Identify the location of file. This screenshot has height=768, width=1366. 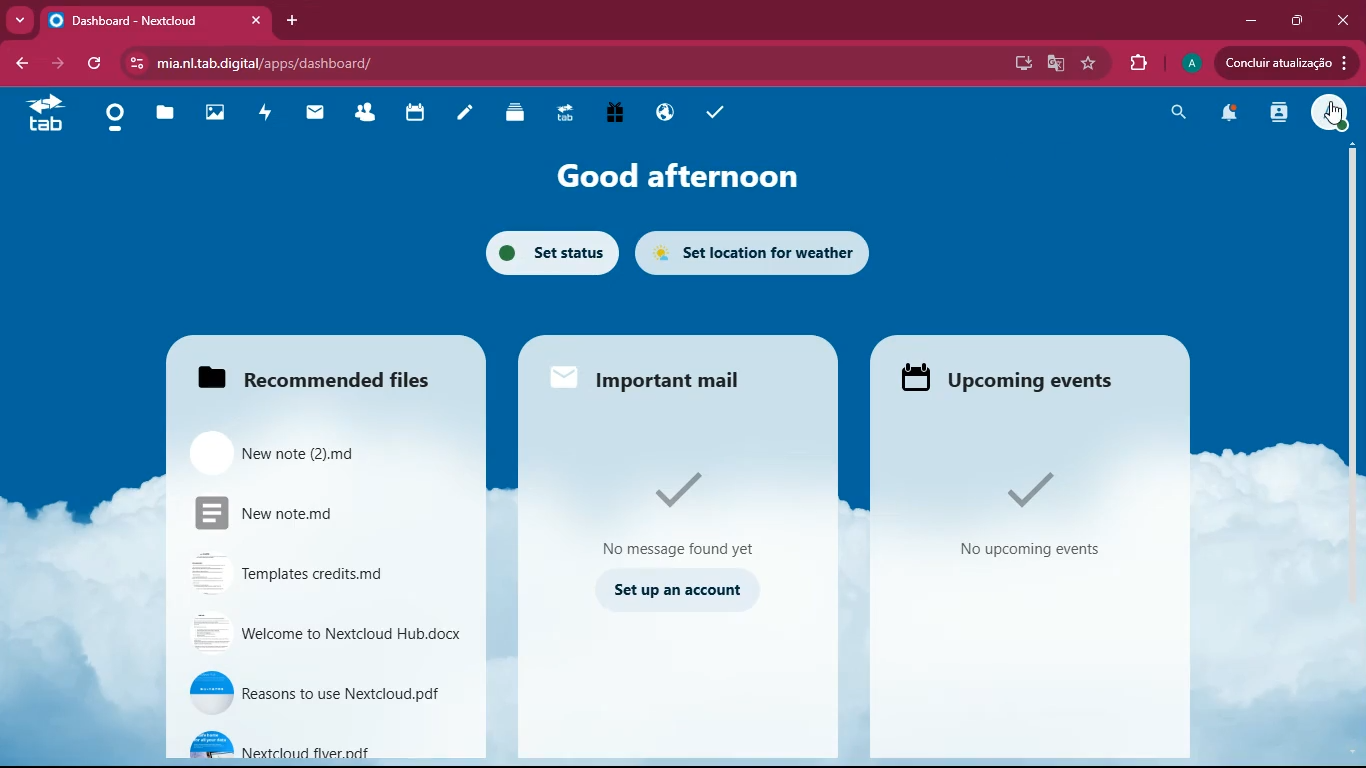
(310, 449).